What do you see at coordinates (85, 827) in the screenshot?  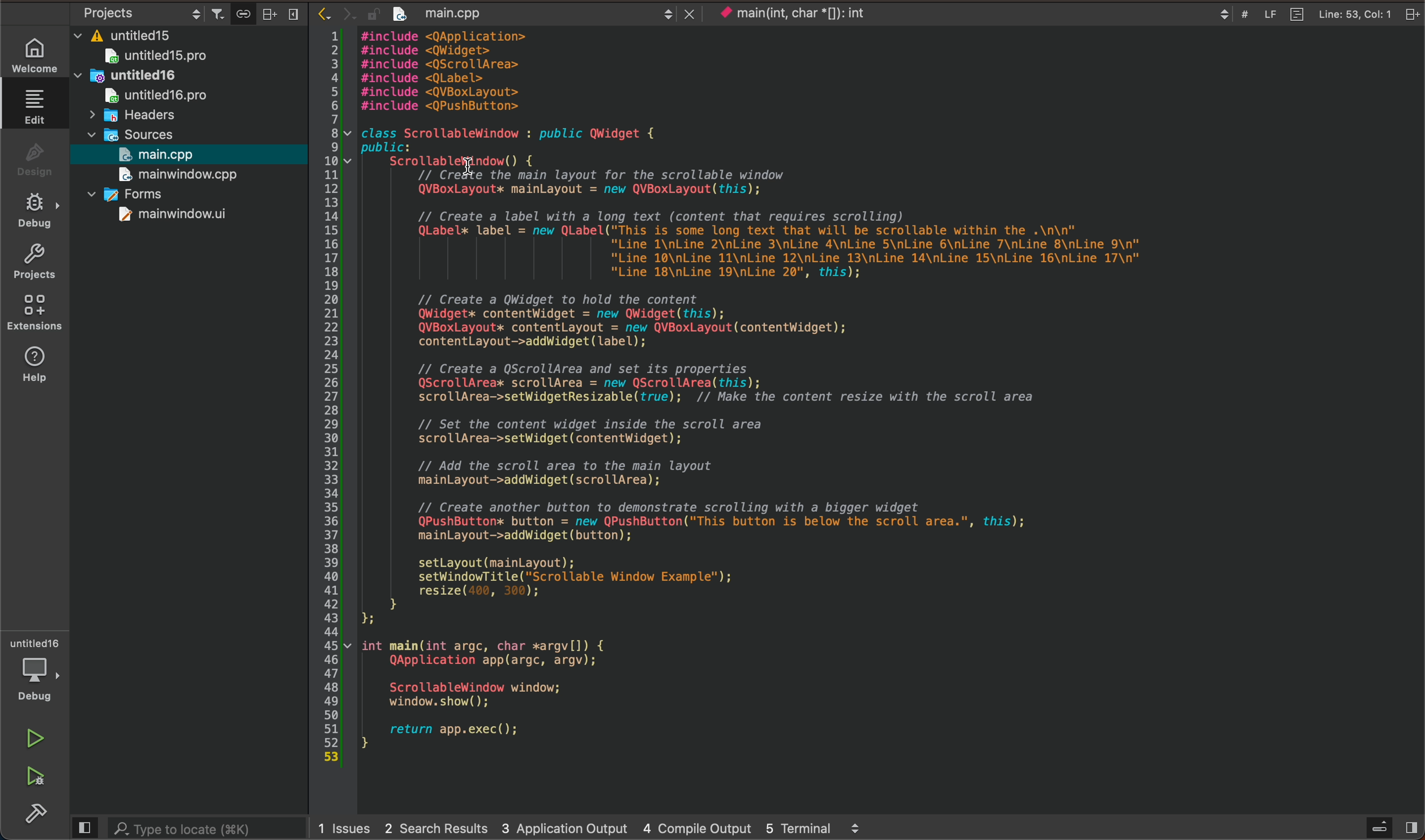 I see `close slide bar` at bounding box center [85, 827].